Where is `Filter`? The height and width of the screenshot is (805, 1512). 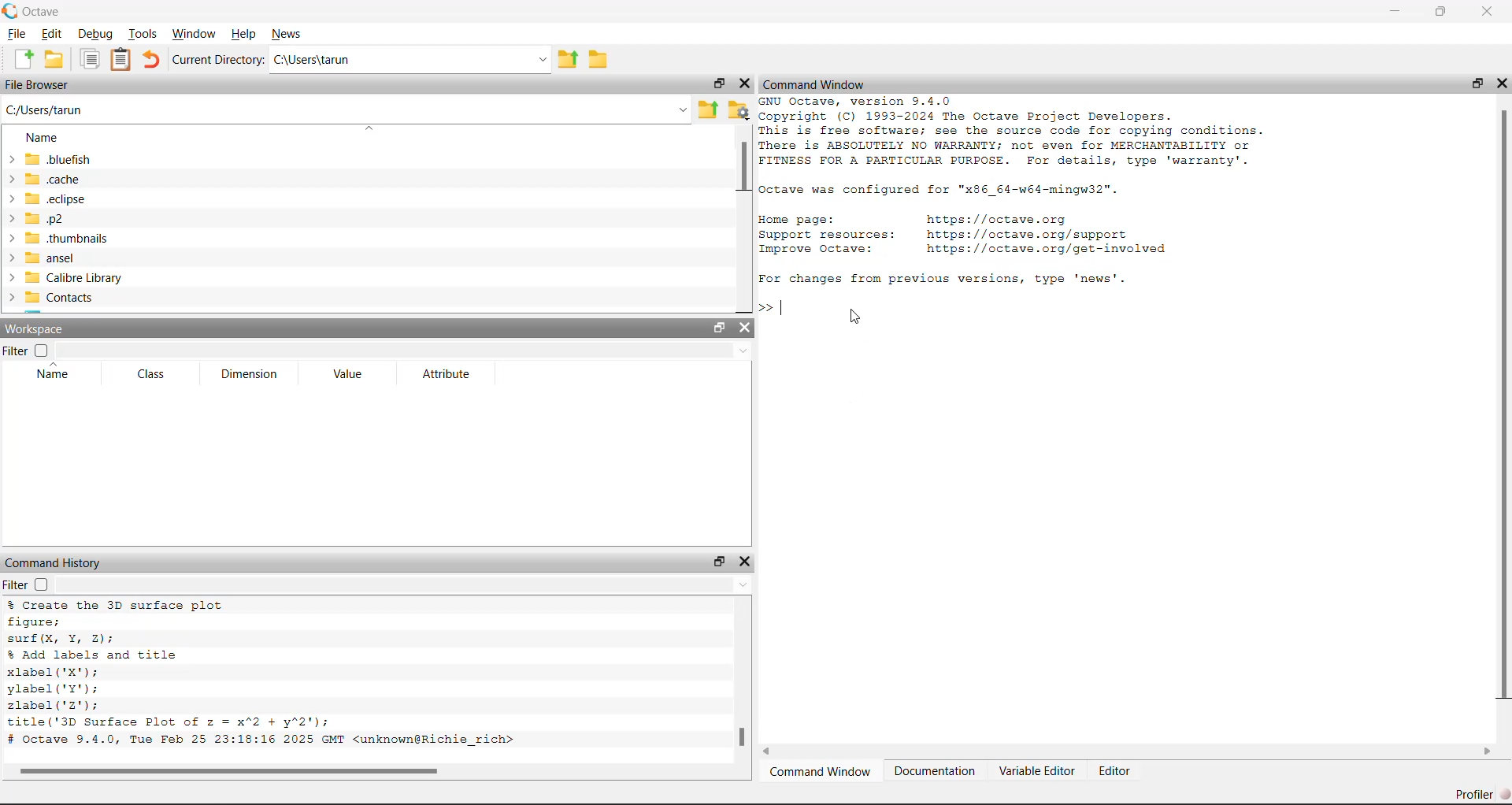
Filter is located at coordinates (15, 351).